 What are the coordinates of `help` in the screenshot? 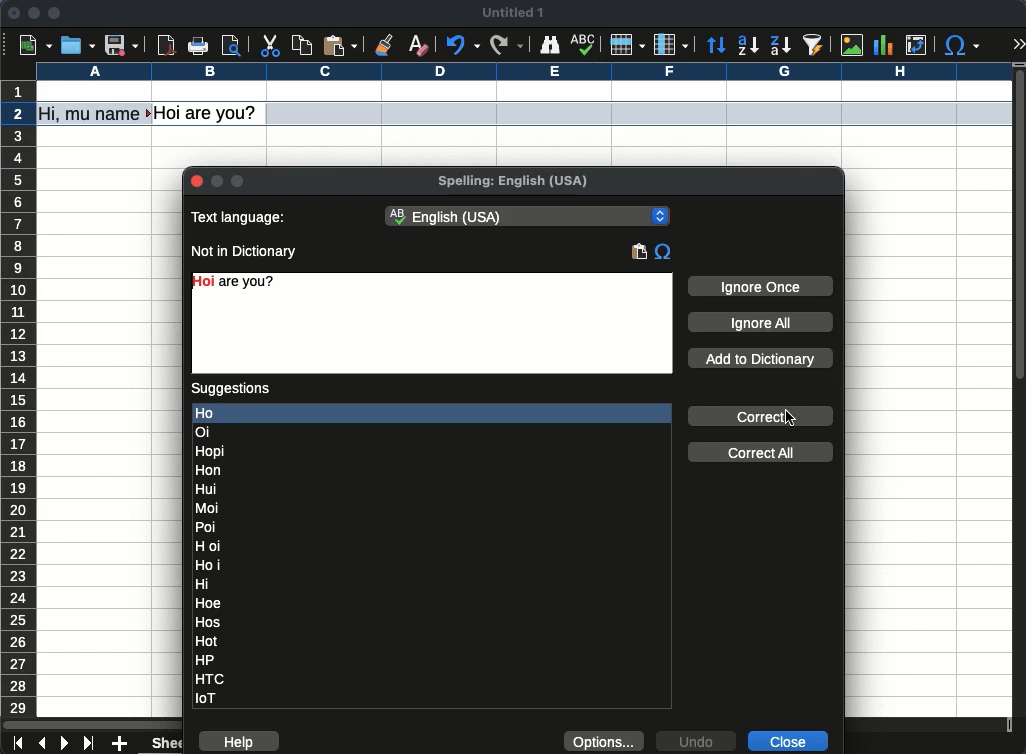 It's located at (240, 742).